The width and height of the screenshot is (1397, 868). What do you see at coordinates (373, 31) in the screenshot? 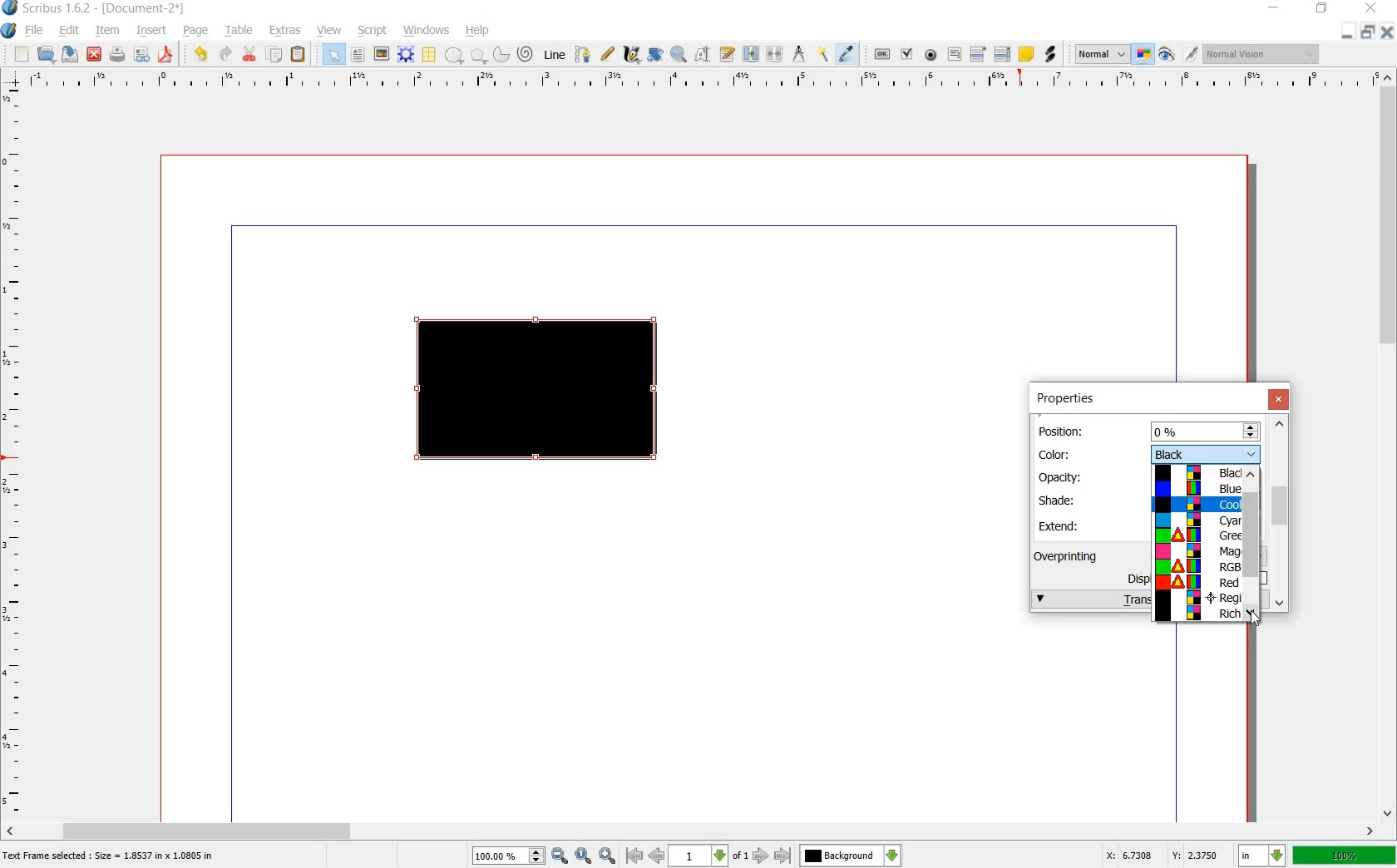
I see `script` at bounding box center [373, 31].